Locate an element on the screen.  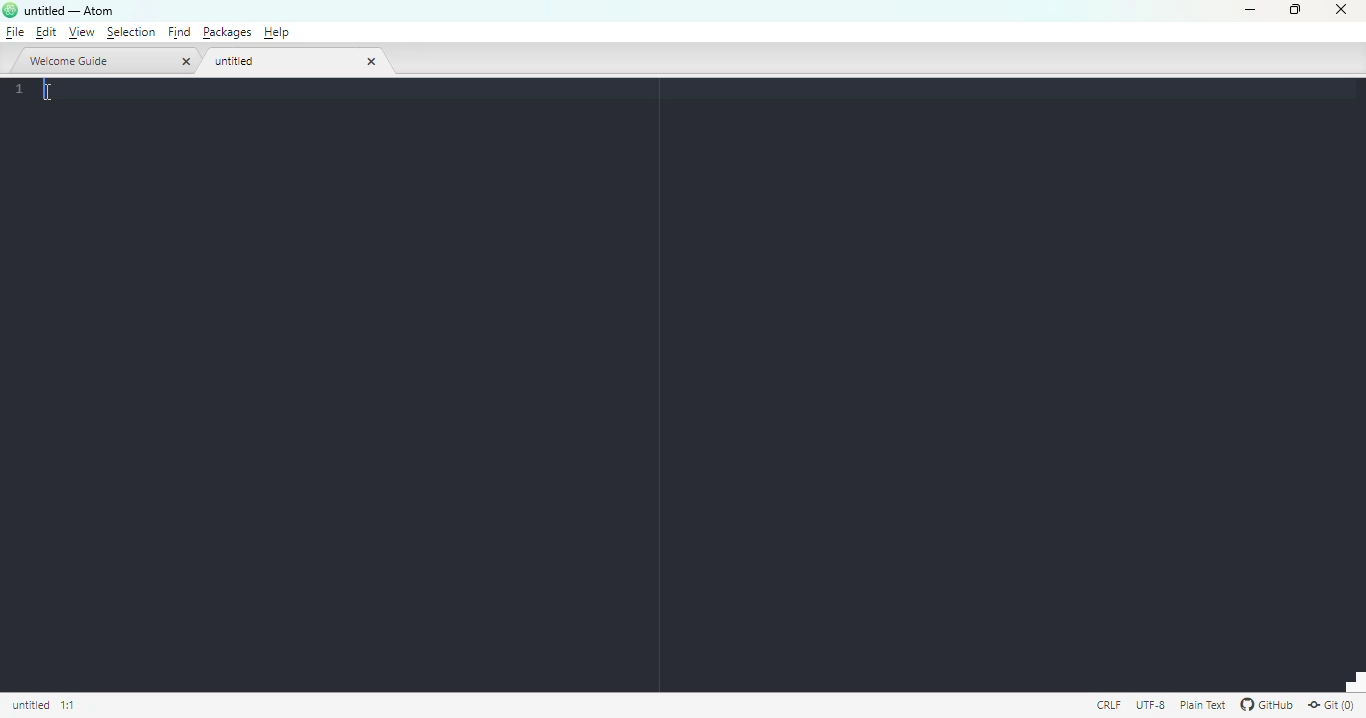
close is located at coordinates (1341, 9).